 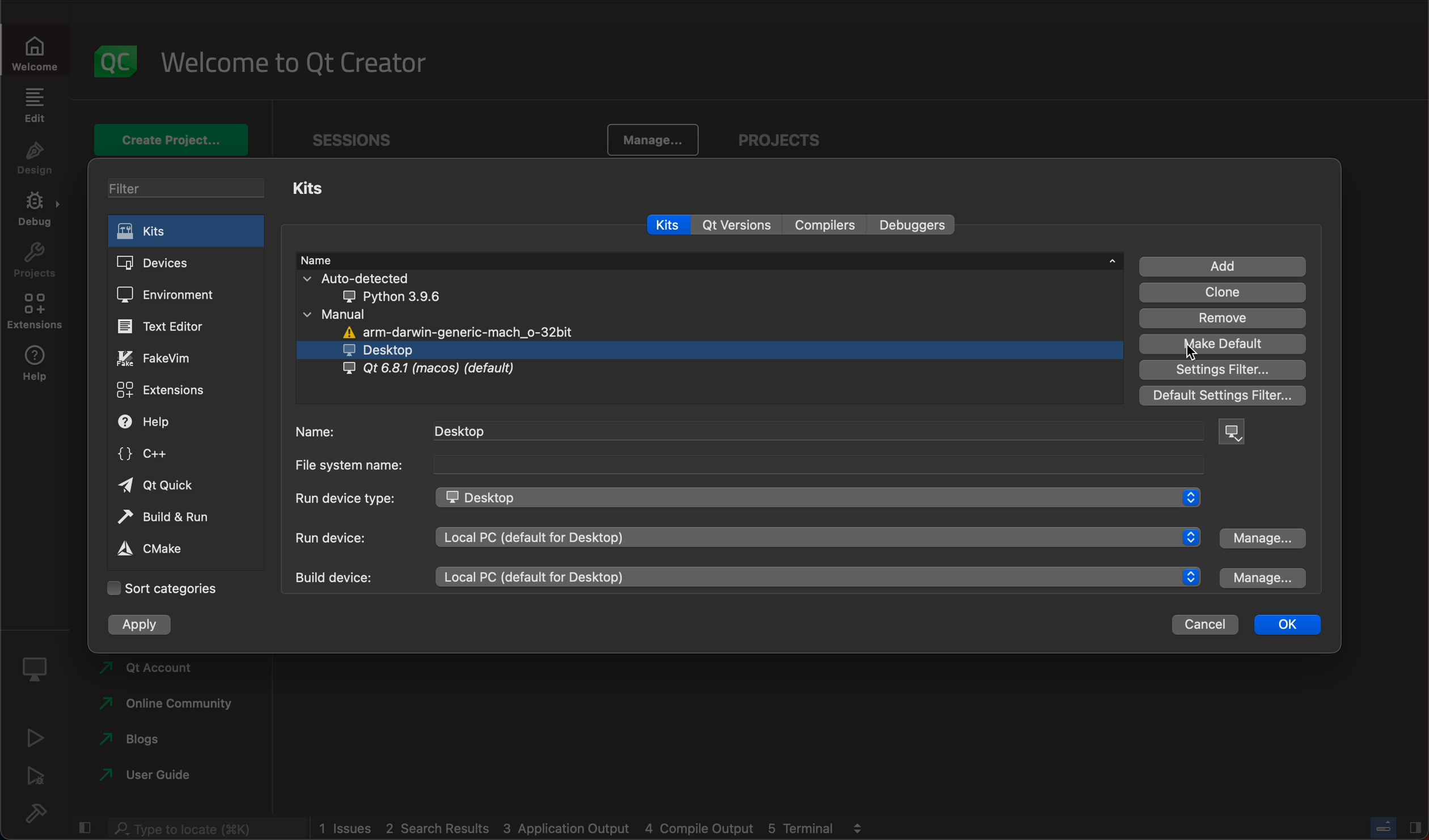 I want to click on debuggers, so click(x=913, y=224).